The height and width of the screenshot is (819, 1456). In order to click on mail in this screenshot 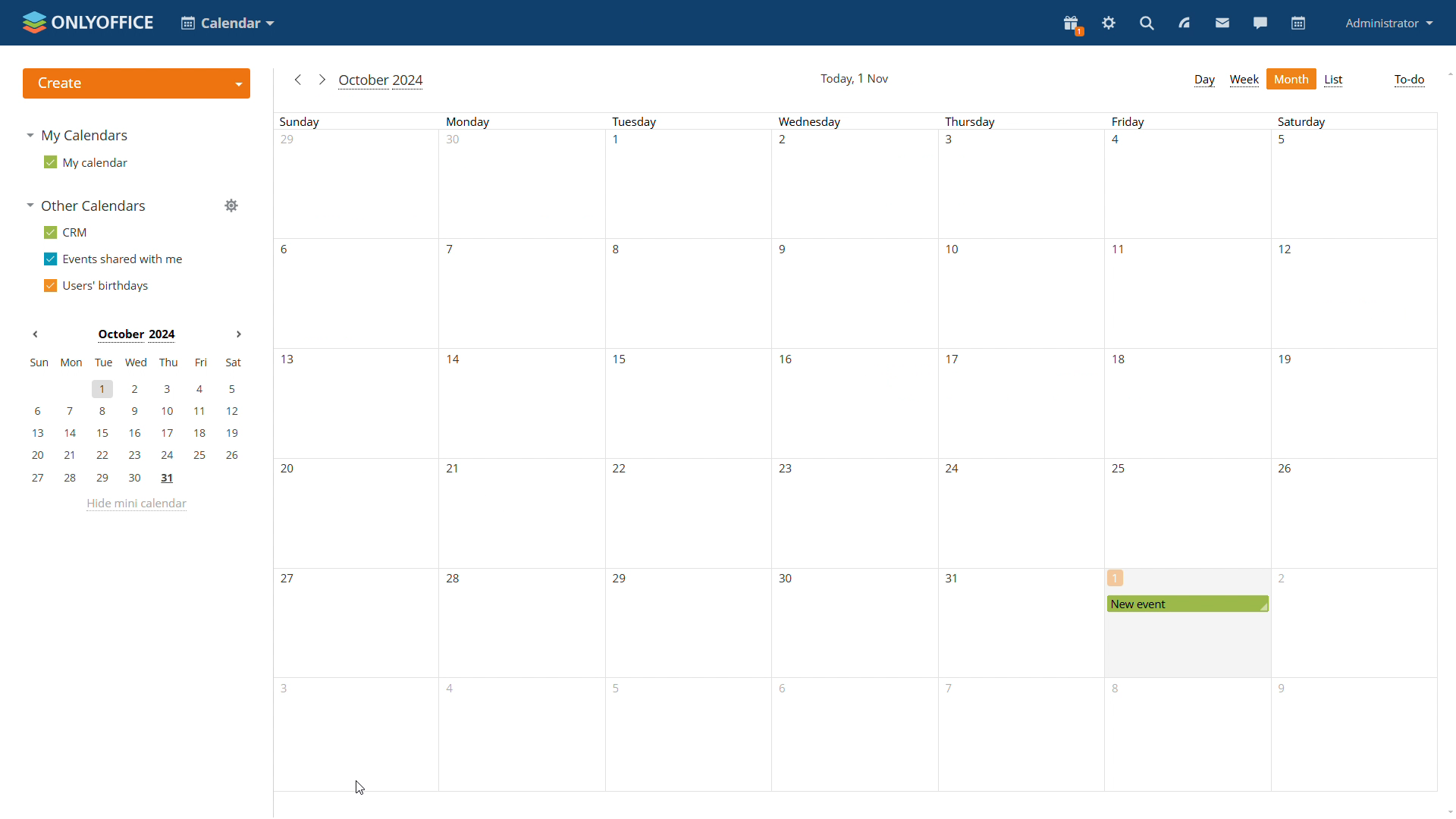, I will do `click(1221, 23)`.